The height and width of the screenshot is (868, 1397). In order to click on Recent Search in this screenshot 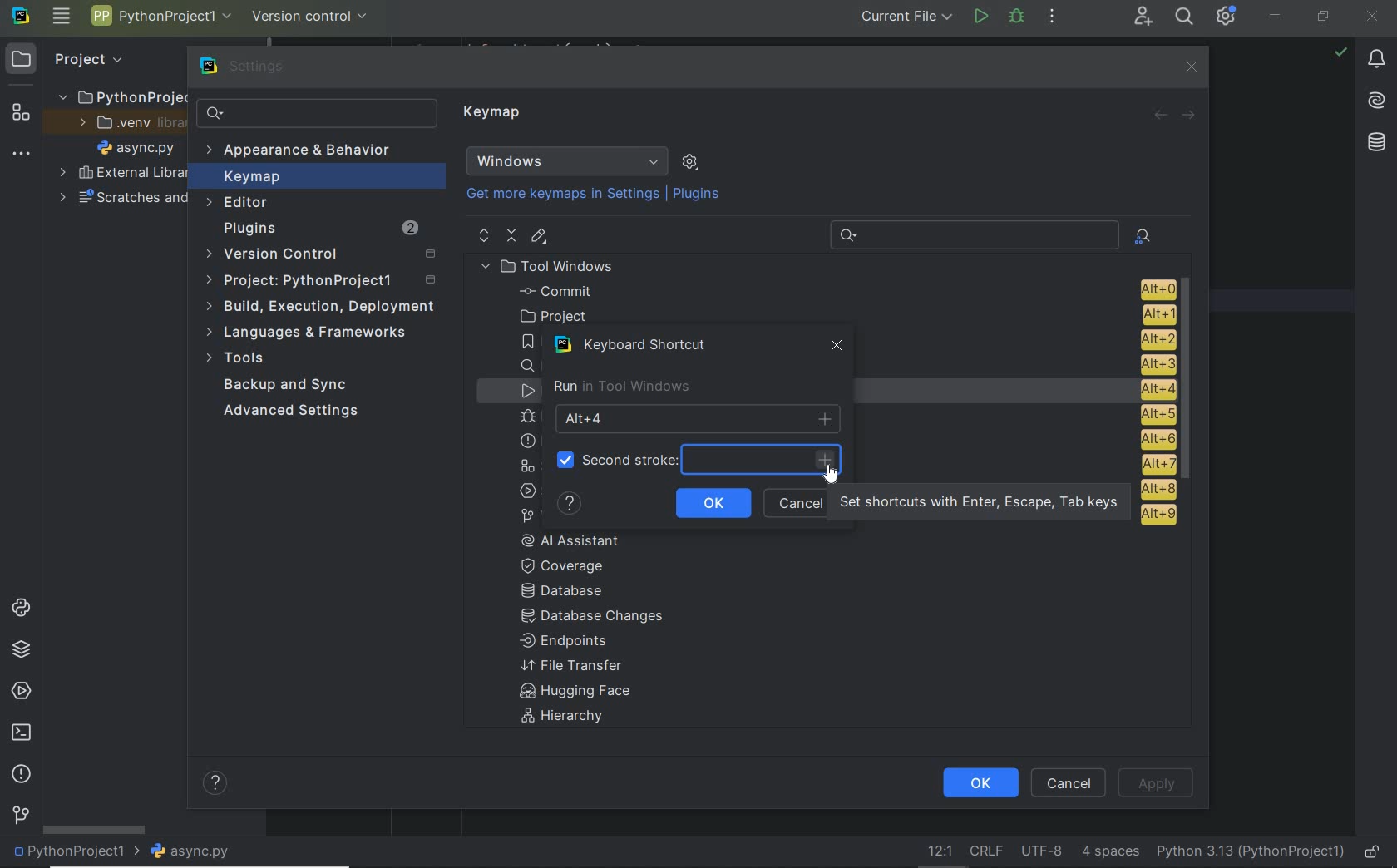, I will do `click(971, 233)`.